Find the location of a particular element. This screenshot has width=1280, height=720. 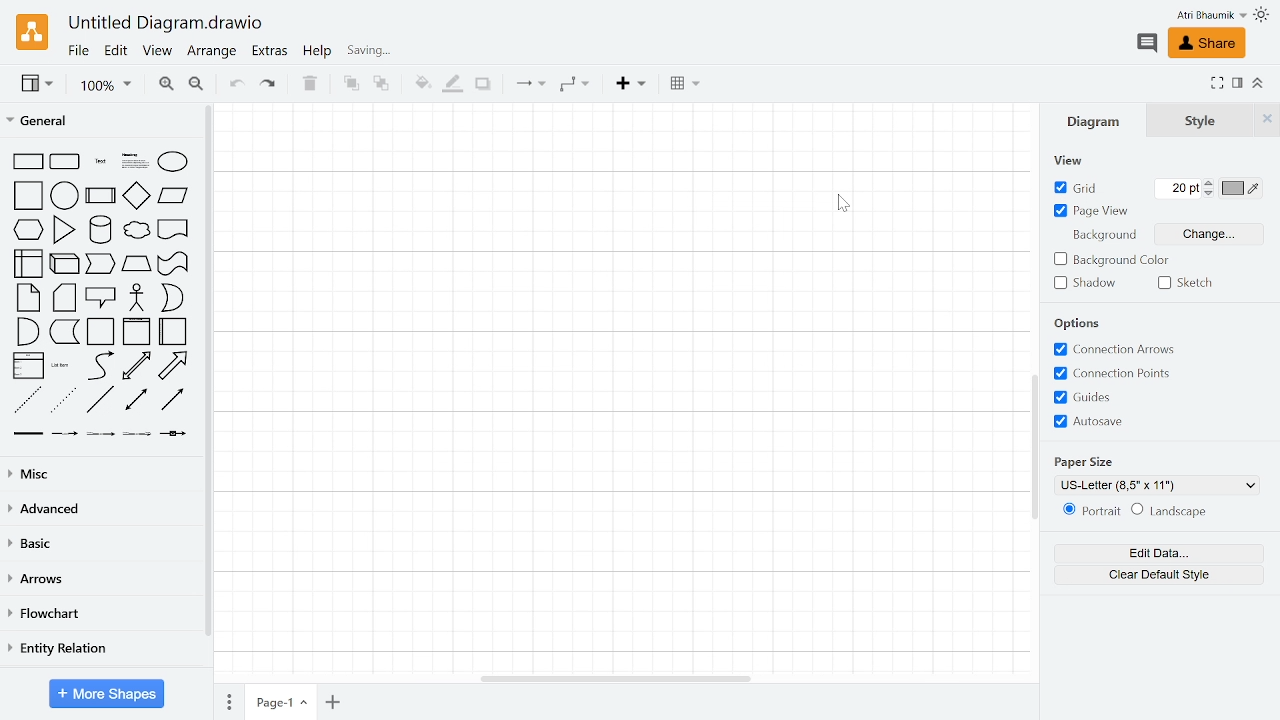

Arrange is located at coordinates (214, 53).